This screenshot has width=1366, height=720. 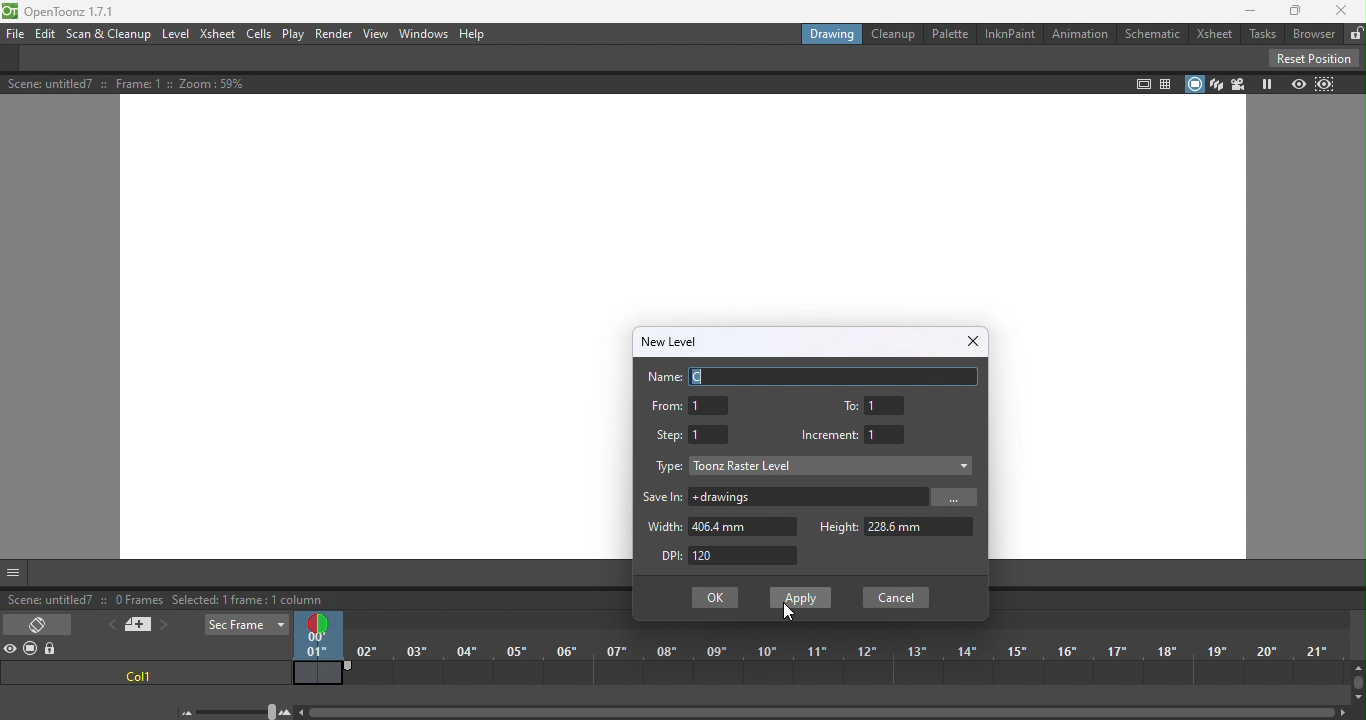 What do you see at coordinates (1313, 58) in the screenshot?
I see `Reset Position` at bounding box center [1313, 58].